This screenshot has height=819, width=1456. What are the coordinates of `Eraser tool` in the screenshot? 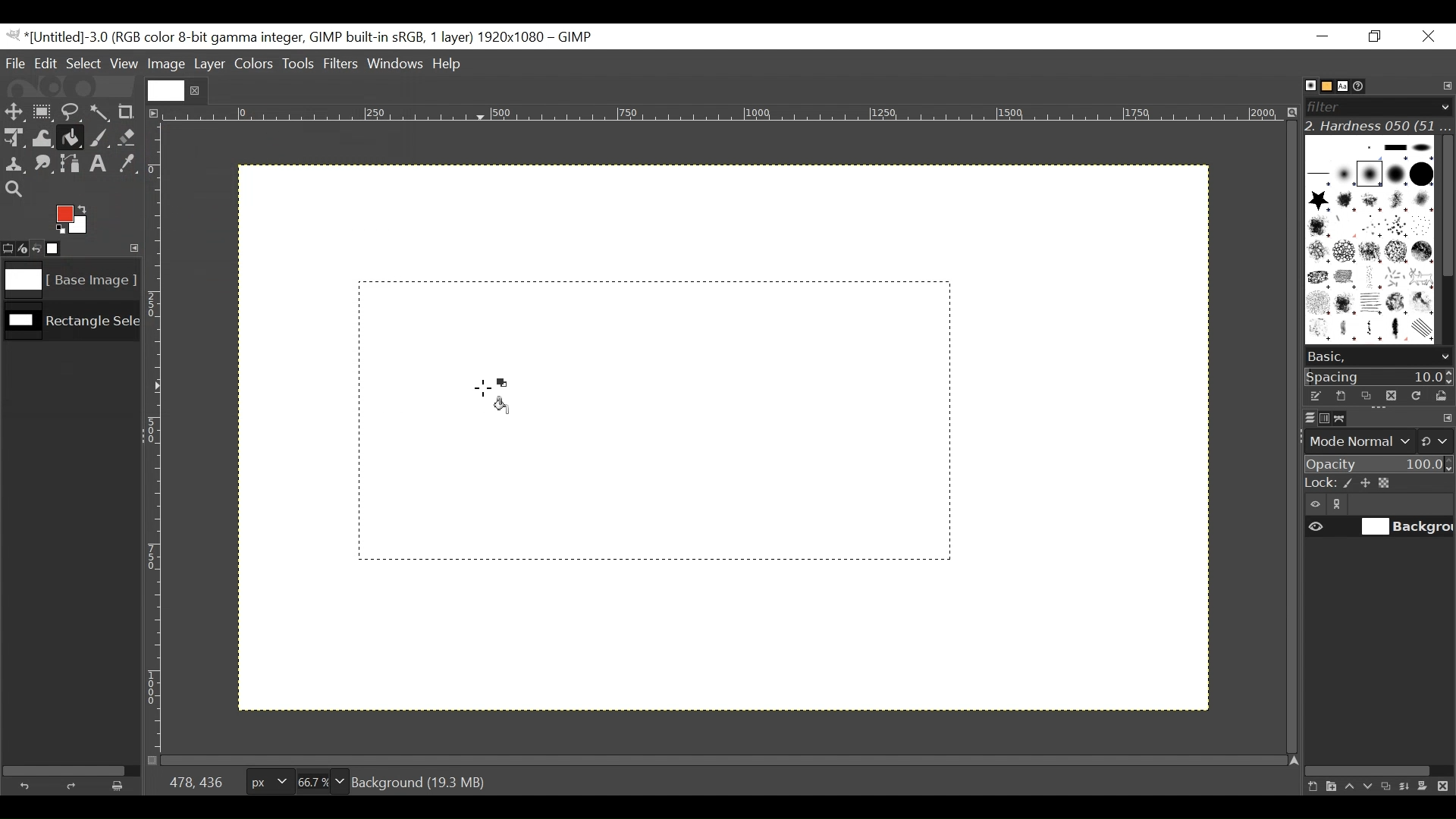 It's located at (129, 139).